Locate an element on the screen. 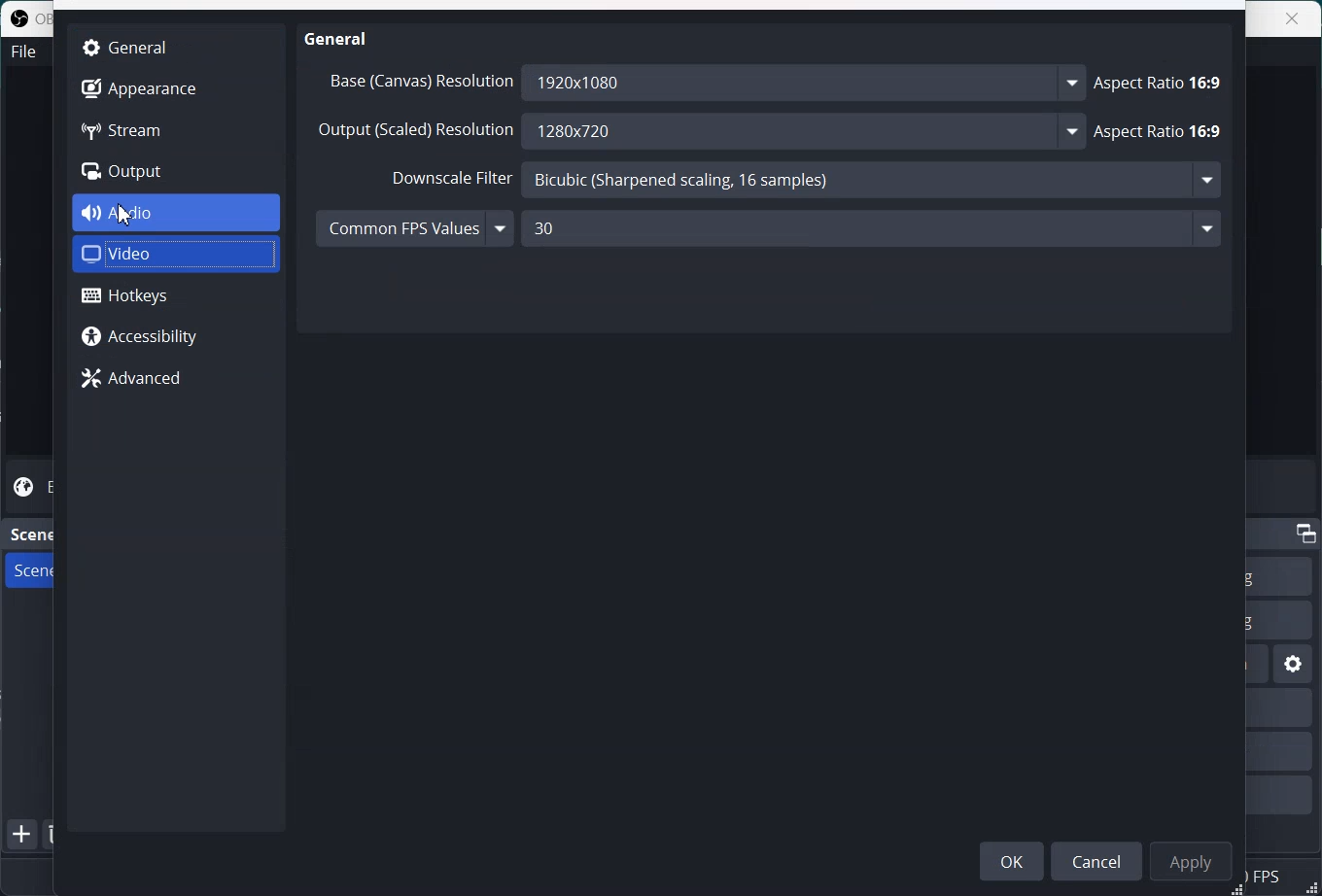 The image size is (1322, 896). Apply is located at coordinates (1196, 860).